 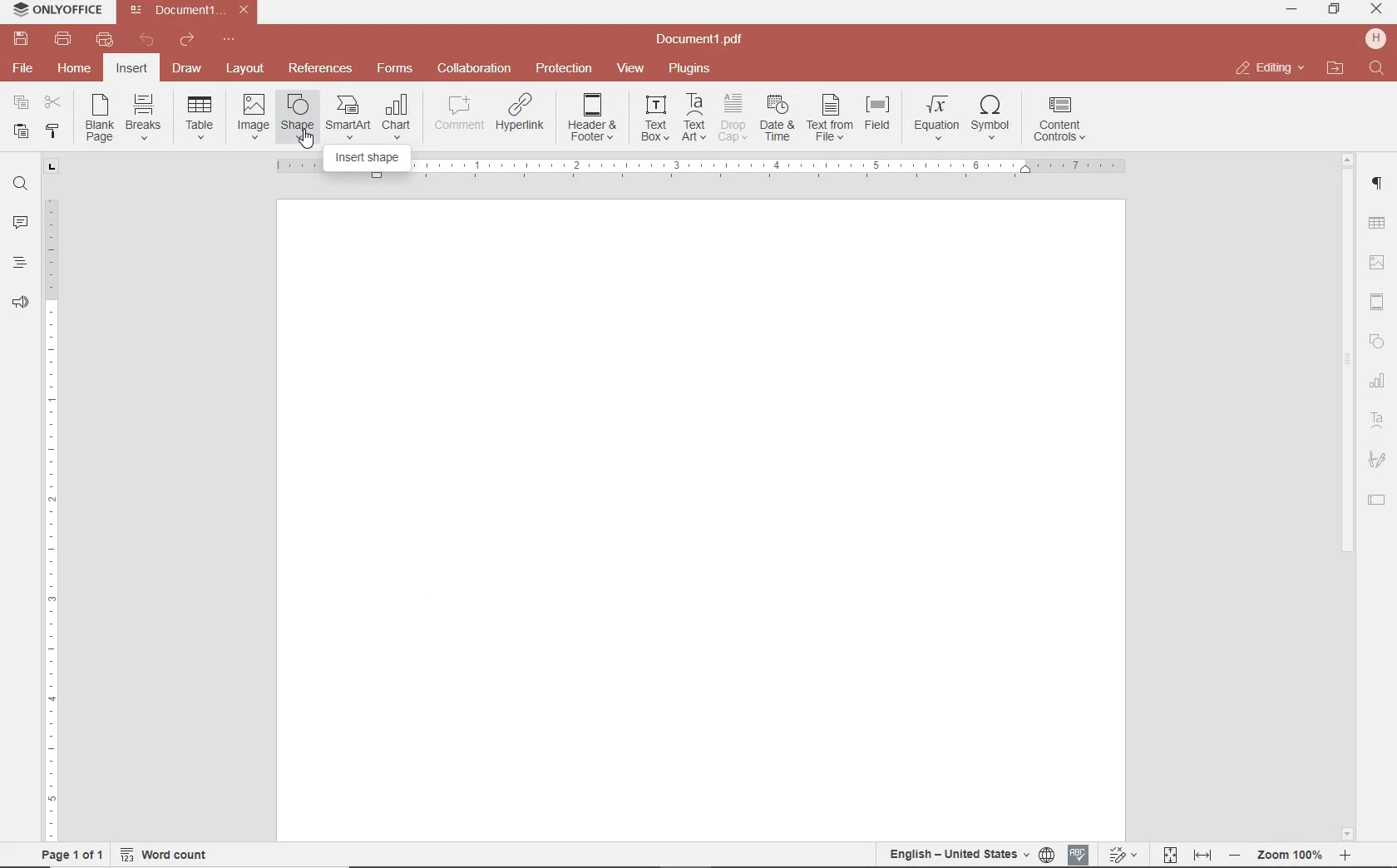 I want to click on INSERT TEXT ART, so click(x=694, y=118).